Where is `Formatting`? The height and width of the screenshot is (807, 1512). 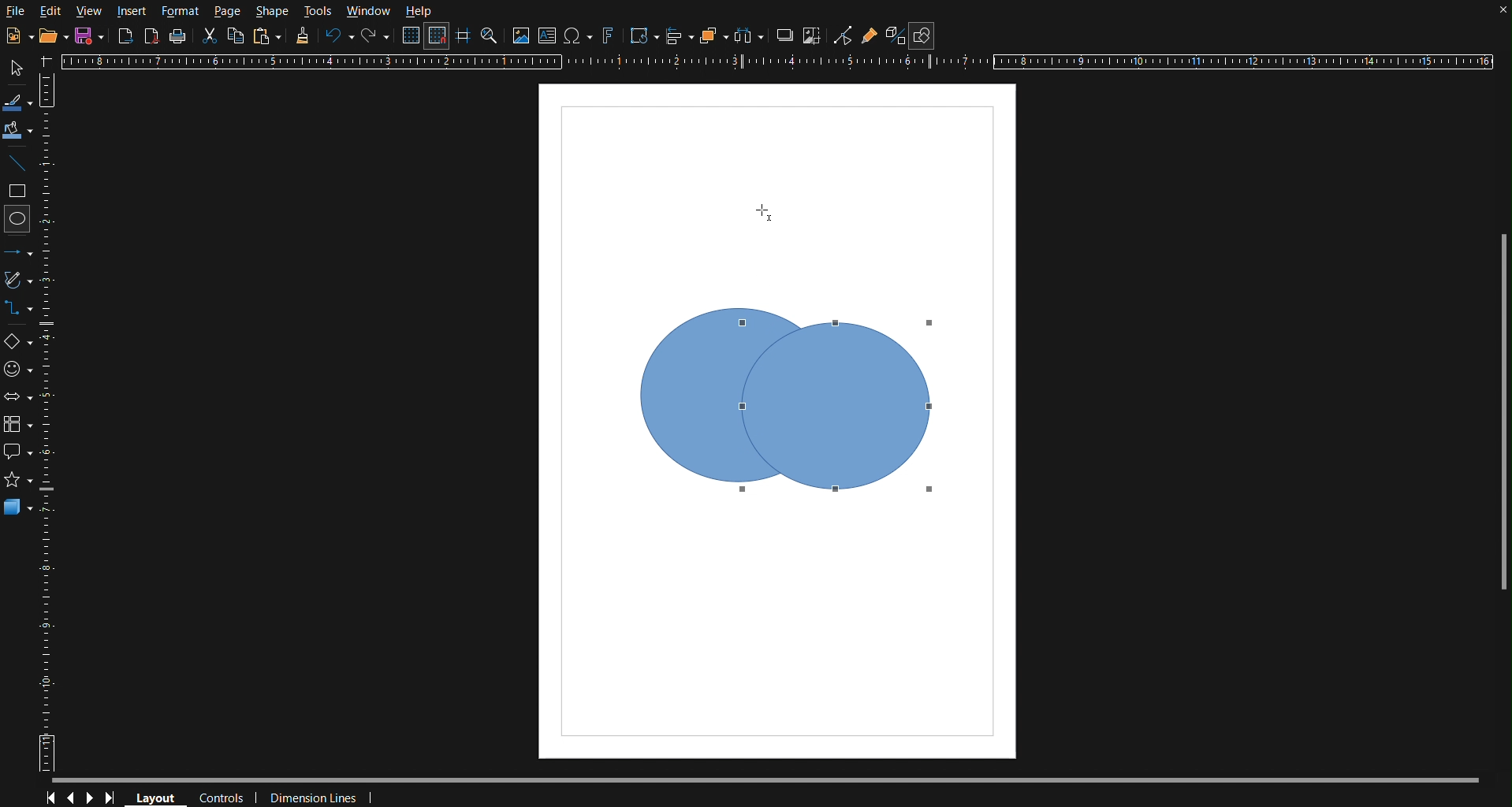
Formatting is located at coordinates (303, 38).